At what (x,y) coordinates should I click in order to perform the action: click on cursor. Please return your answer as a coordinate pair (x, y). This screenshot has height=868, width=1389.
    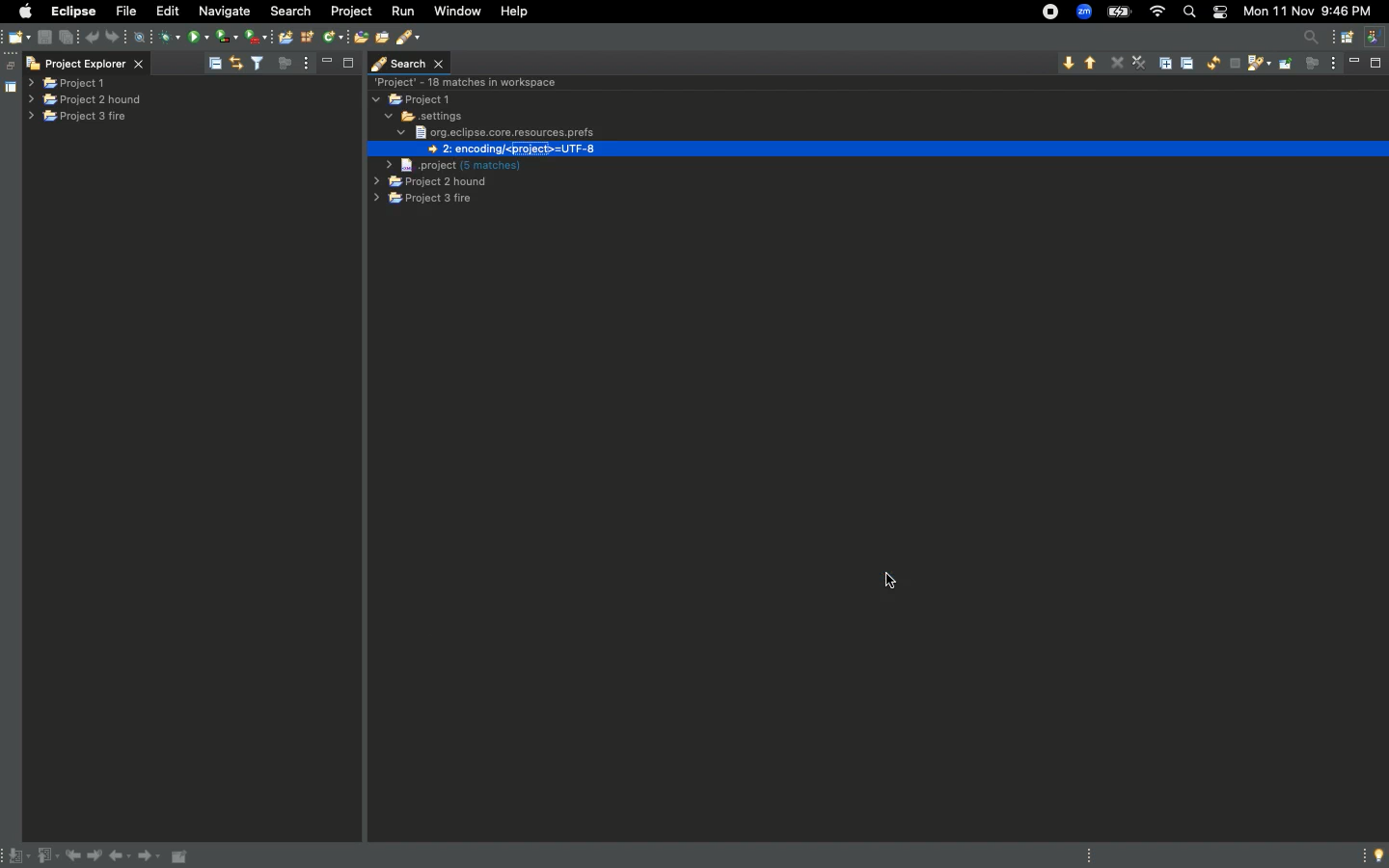
    Looking at the image, I should click on (891, 579).